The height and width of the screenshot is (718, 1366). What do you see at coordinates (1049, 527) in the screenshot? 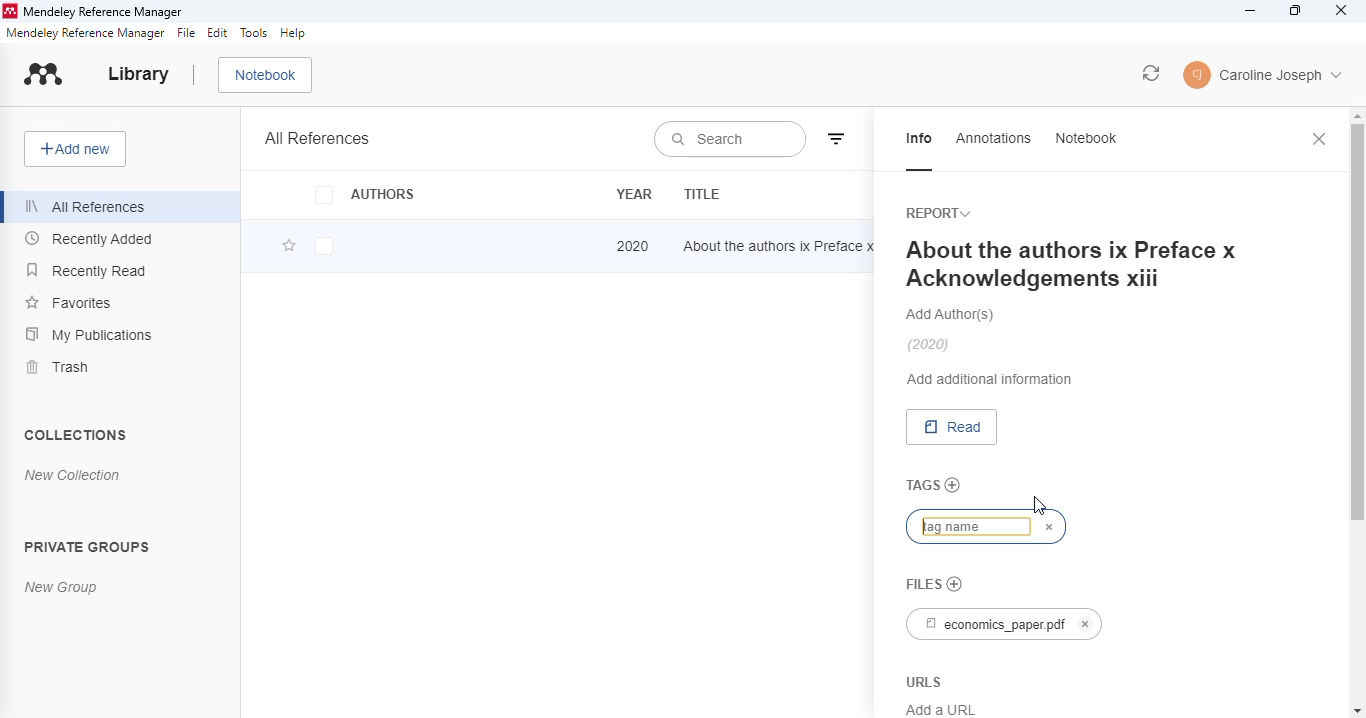
I see `cancel` at bounding box center [1049, 527].